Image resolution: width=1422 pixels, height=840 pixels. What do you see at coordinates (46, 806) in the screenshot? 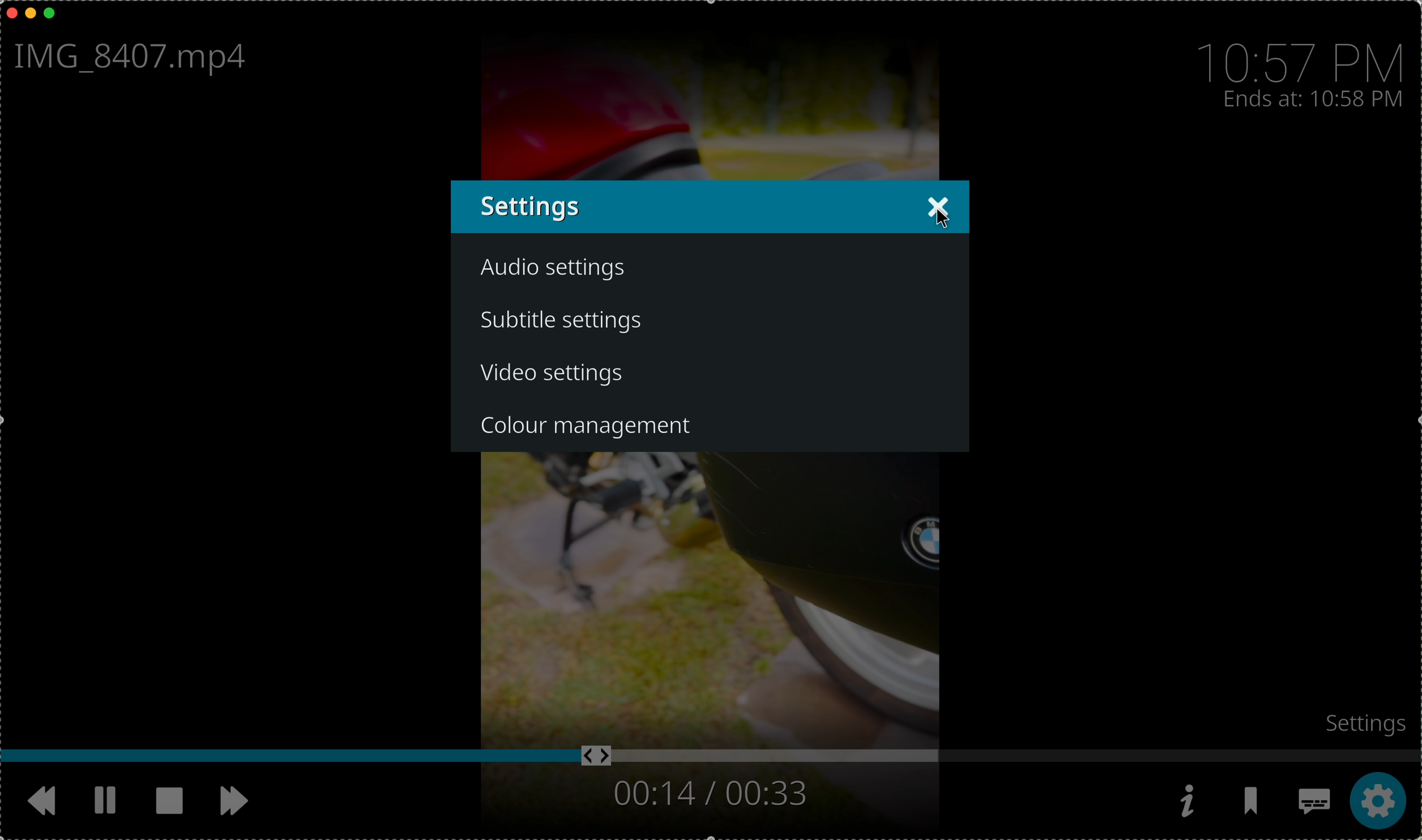
I see `rewind` at bounding box center [46, 806].